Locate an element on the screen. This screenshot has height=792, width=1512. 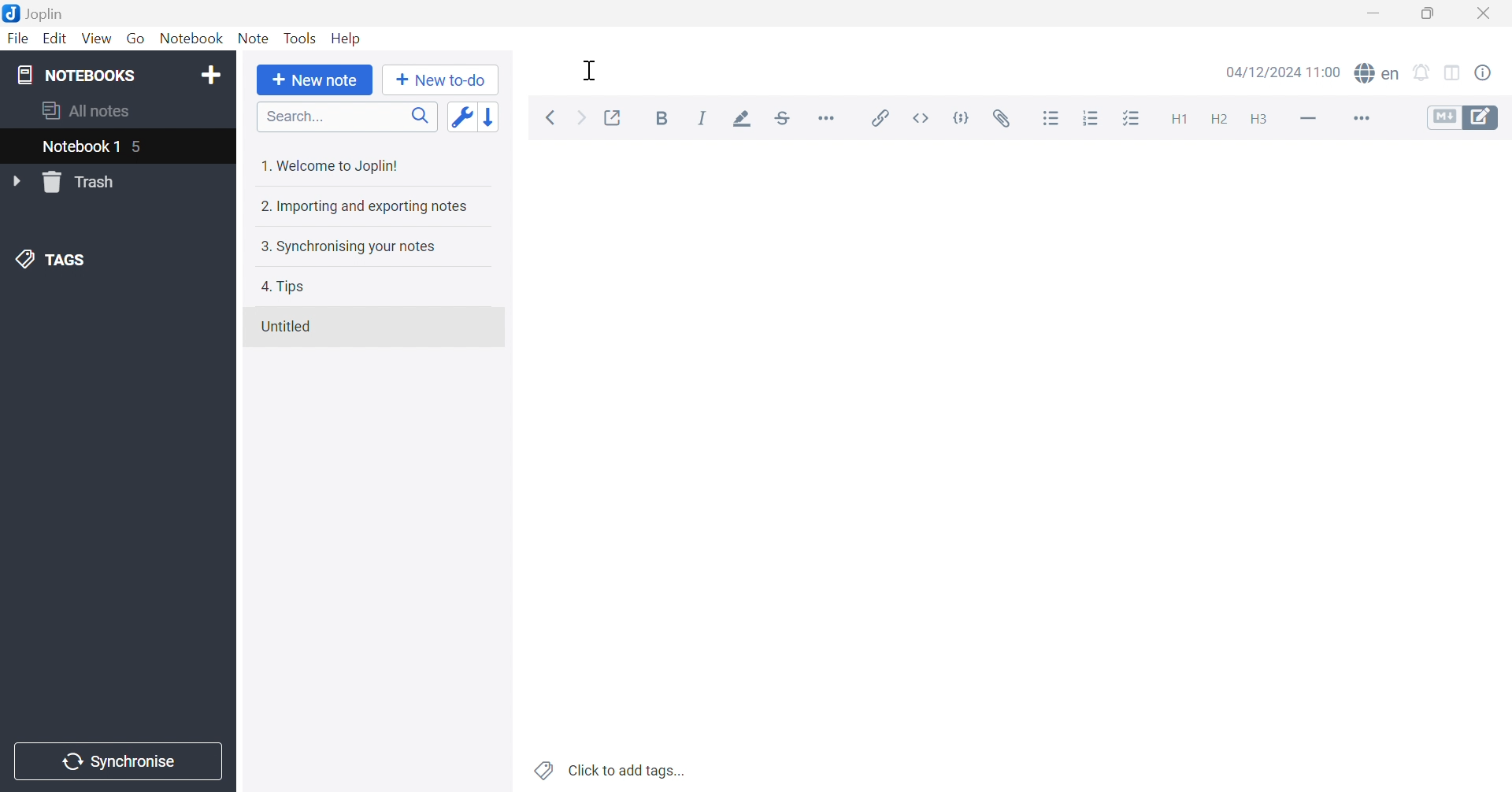
Bold is located at coordinates (665, 120).